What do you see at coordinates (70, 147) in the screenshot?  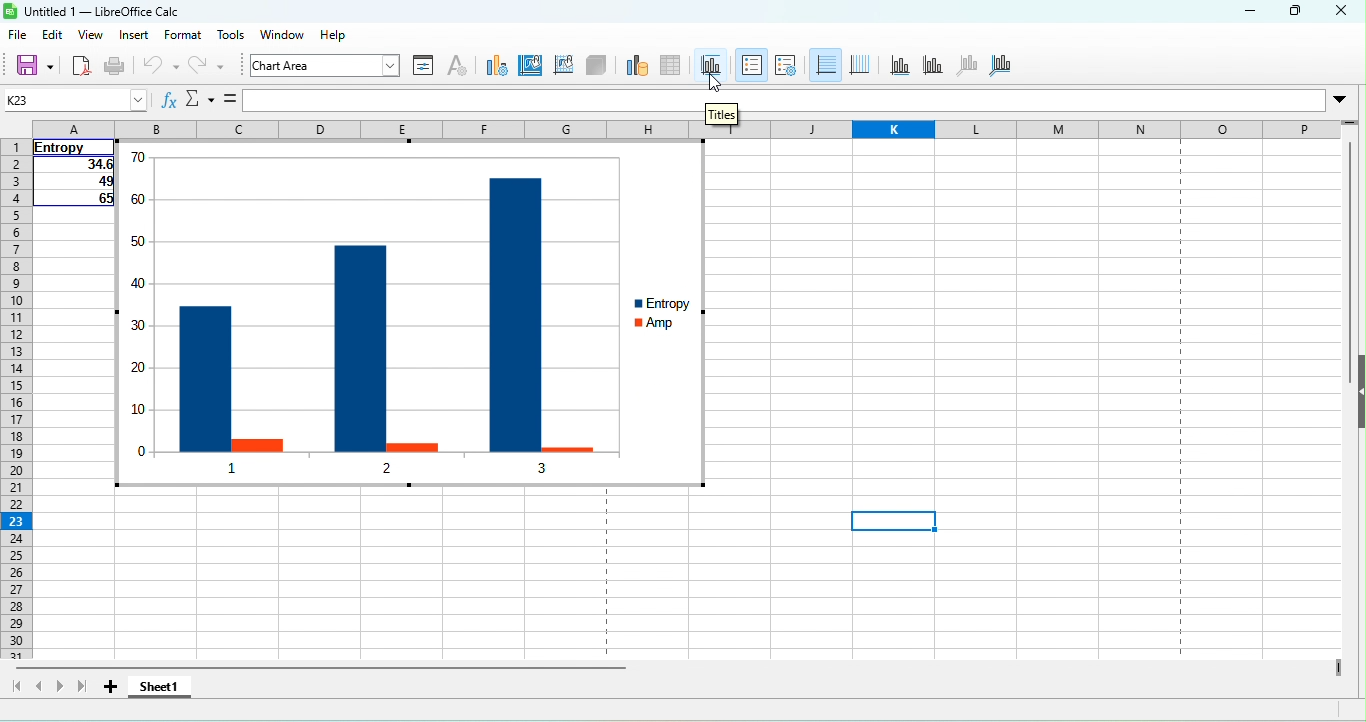 I see `entropy` at bounding box center [70, 147].